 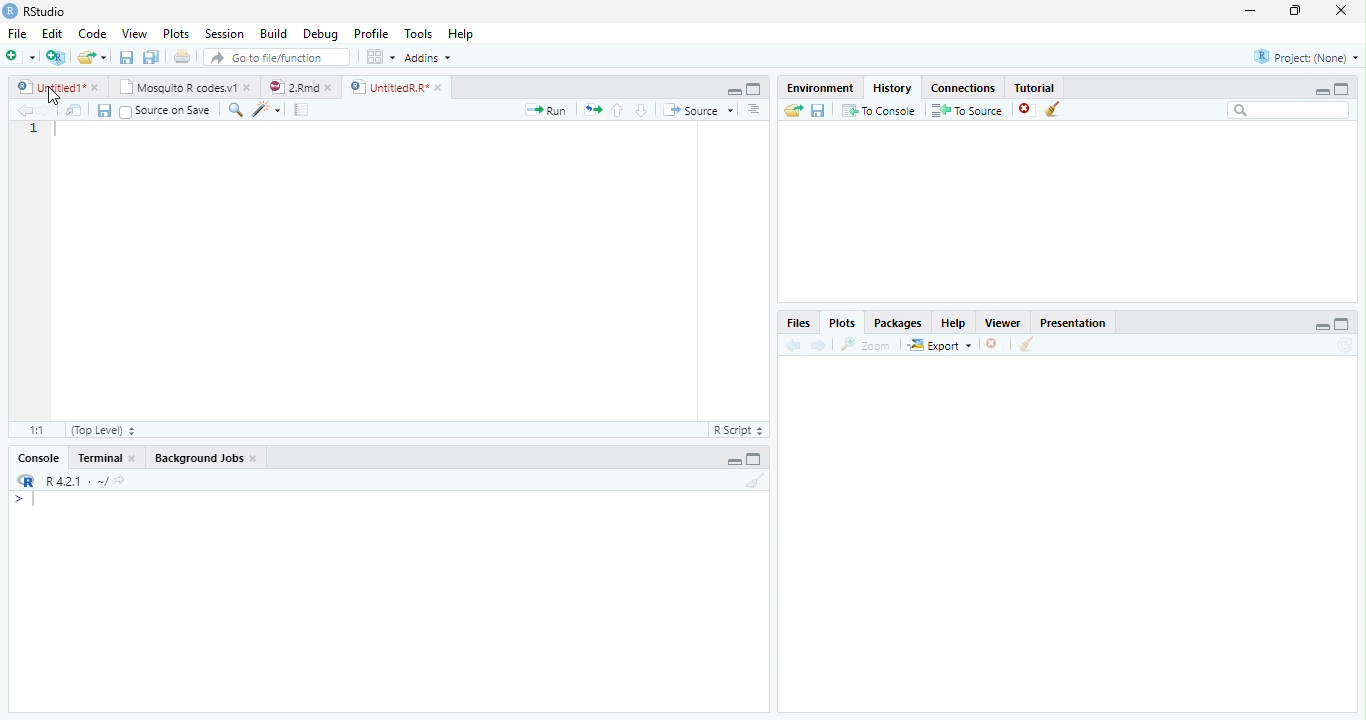 What do you see at coordinates (1307, 56) in the screenshot?
I see `Project (None)` at bounding box center [1307, 56].